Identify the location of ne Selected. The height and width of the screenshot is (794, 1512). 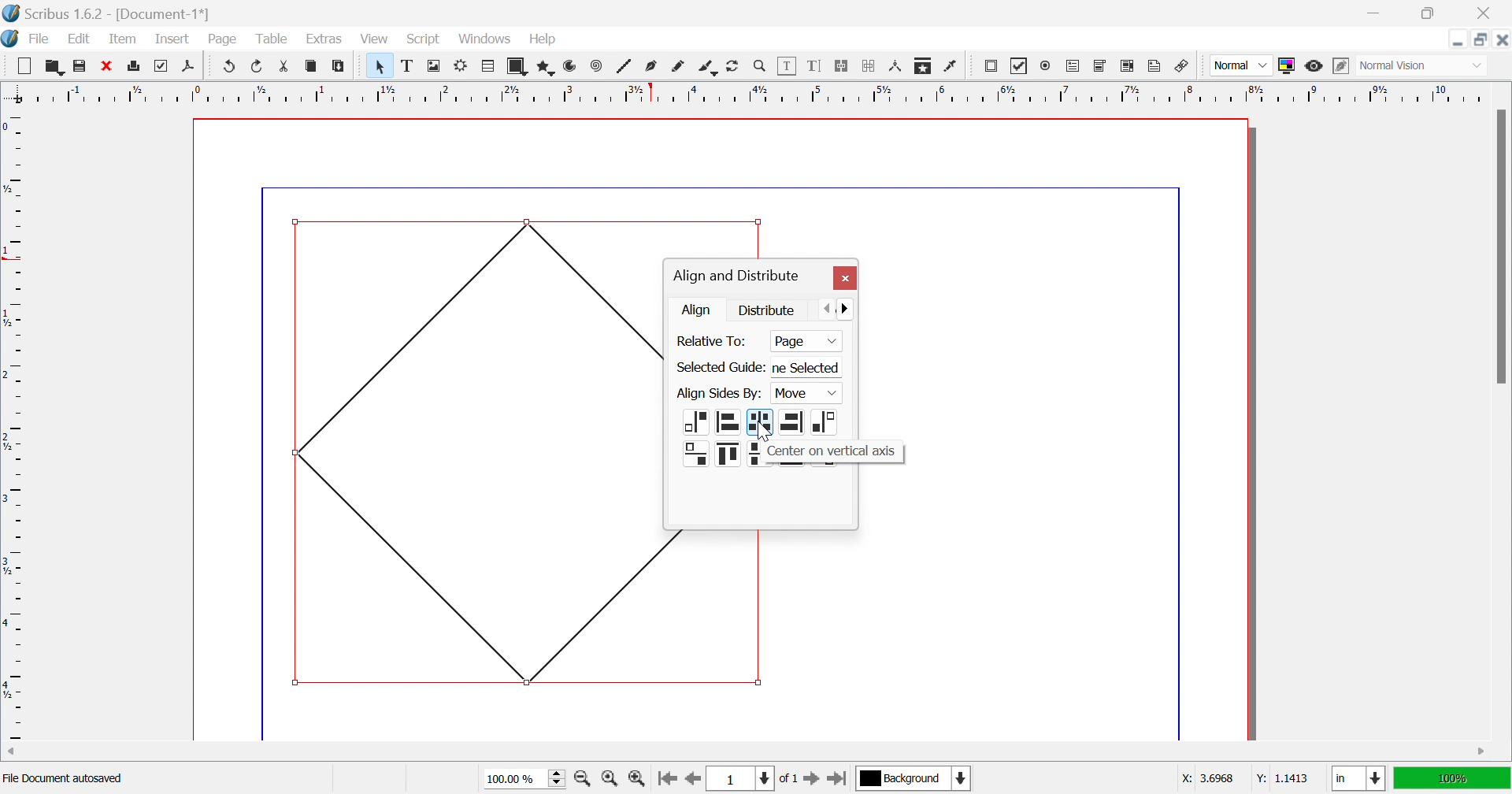
(810, 369).